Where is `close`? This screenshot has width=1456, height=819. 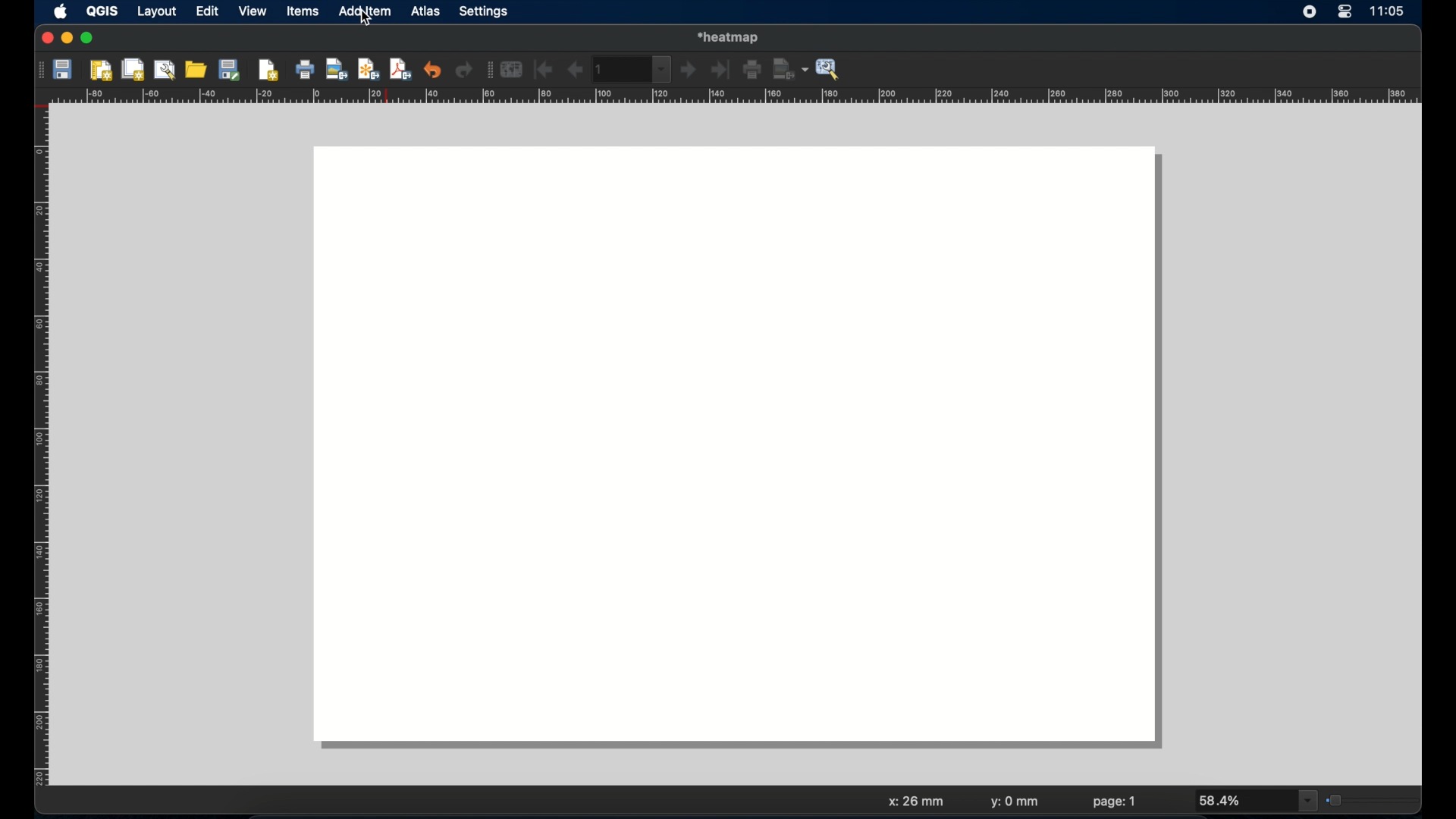
close is located at coordinates (45, 39).